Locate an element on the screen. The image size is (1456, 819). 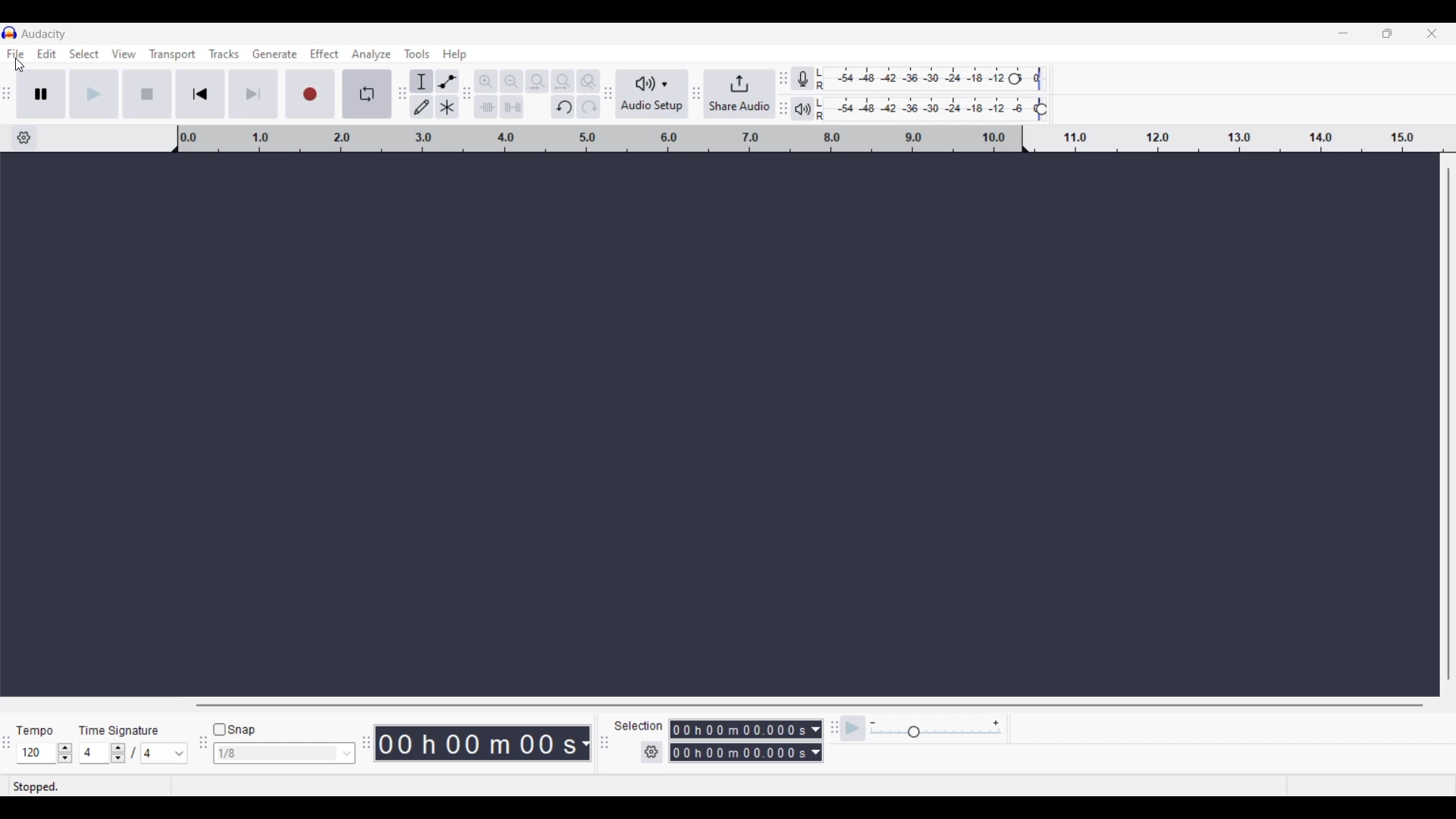
1/8 (Type in snap) is located at coordinates (274, 755).